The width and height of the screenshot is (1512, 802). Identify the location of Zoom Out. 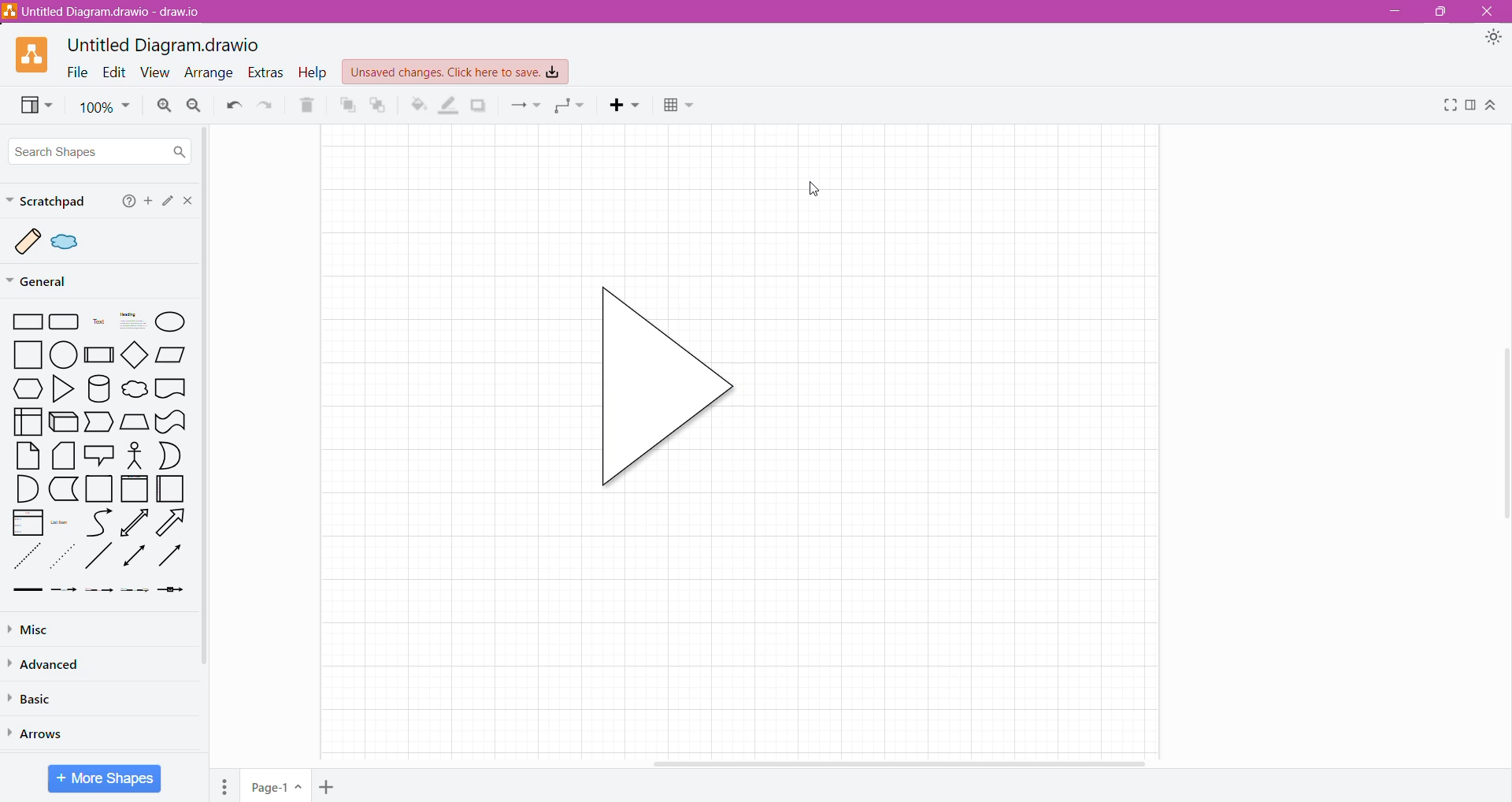
(194, 104).